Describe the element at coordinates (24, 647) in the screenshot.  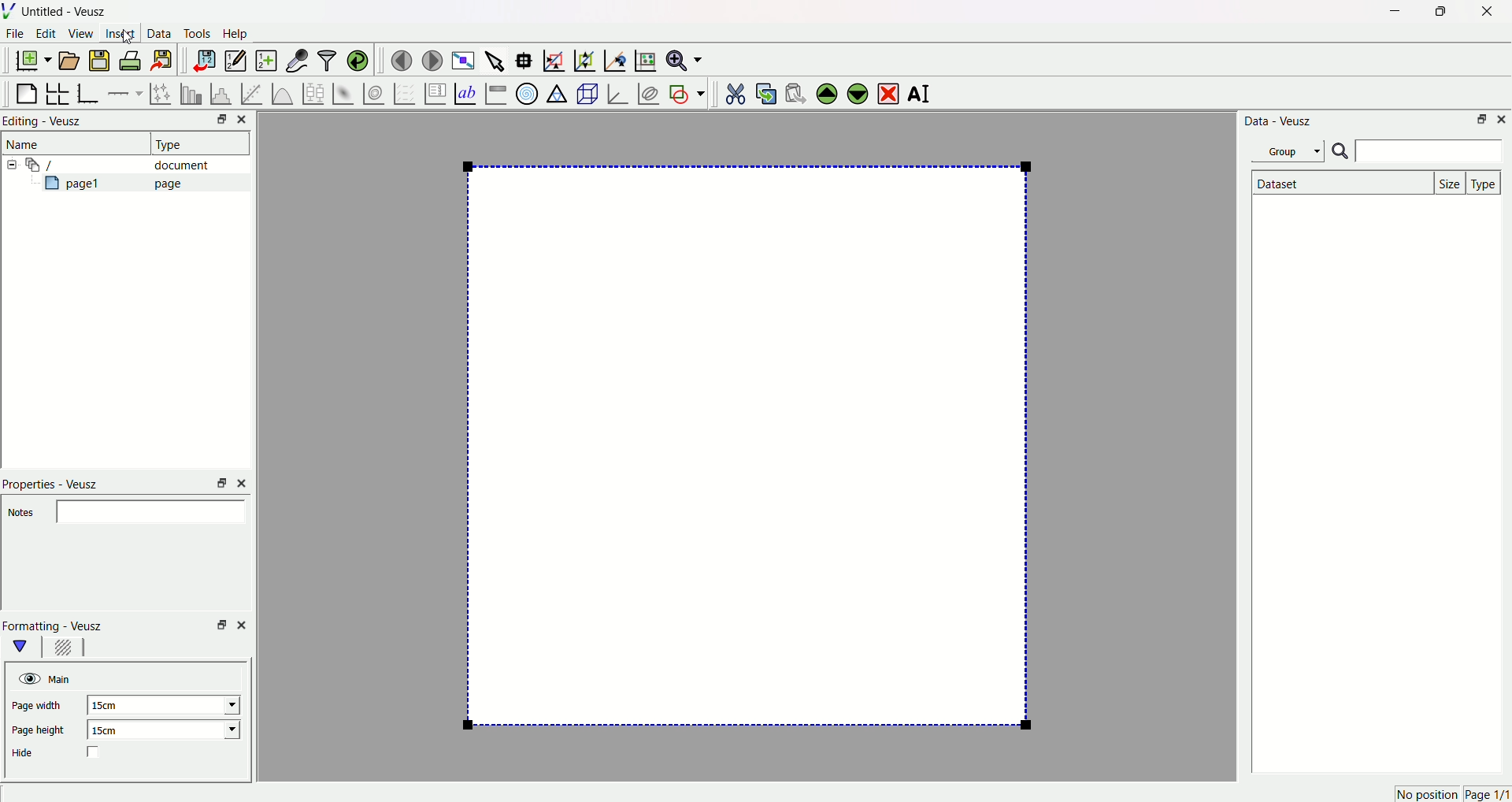
I see `main` at that location.